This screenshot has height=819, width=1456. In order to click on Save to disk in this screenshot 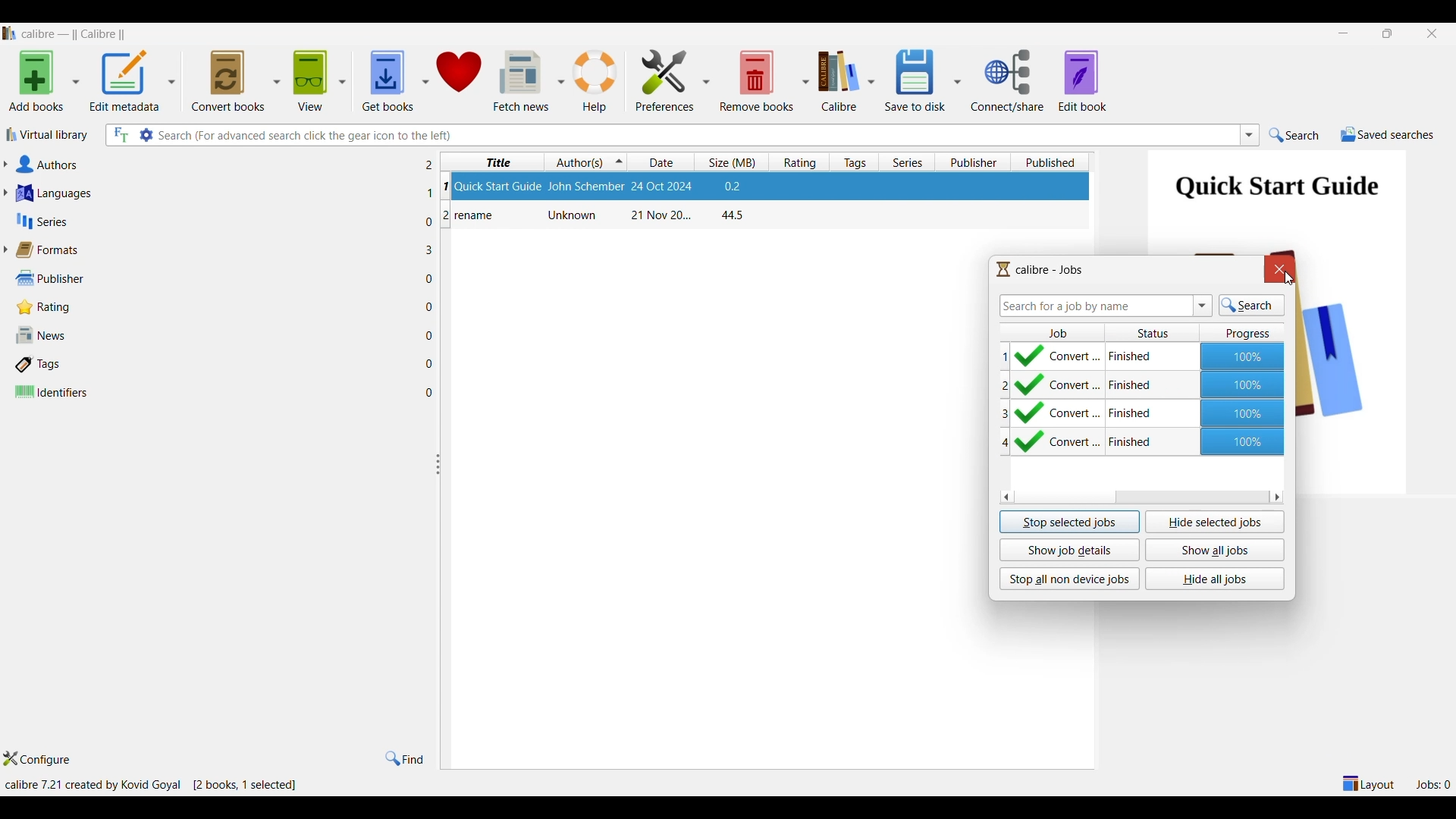, I will do `click(915, 80)`.